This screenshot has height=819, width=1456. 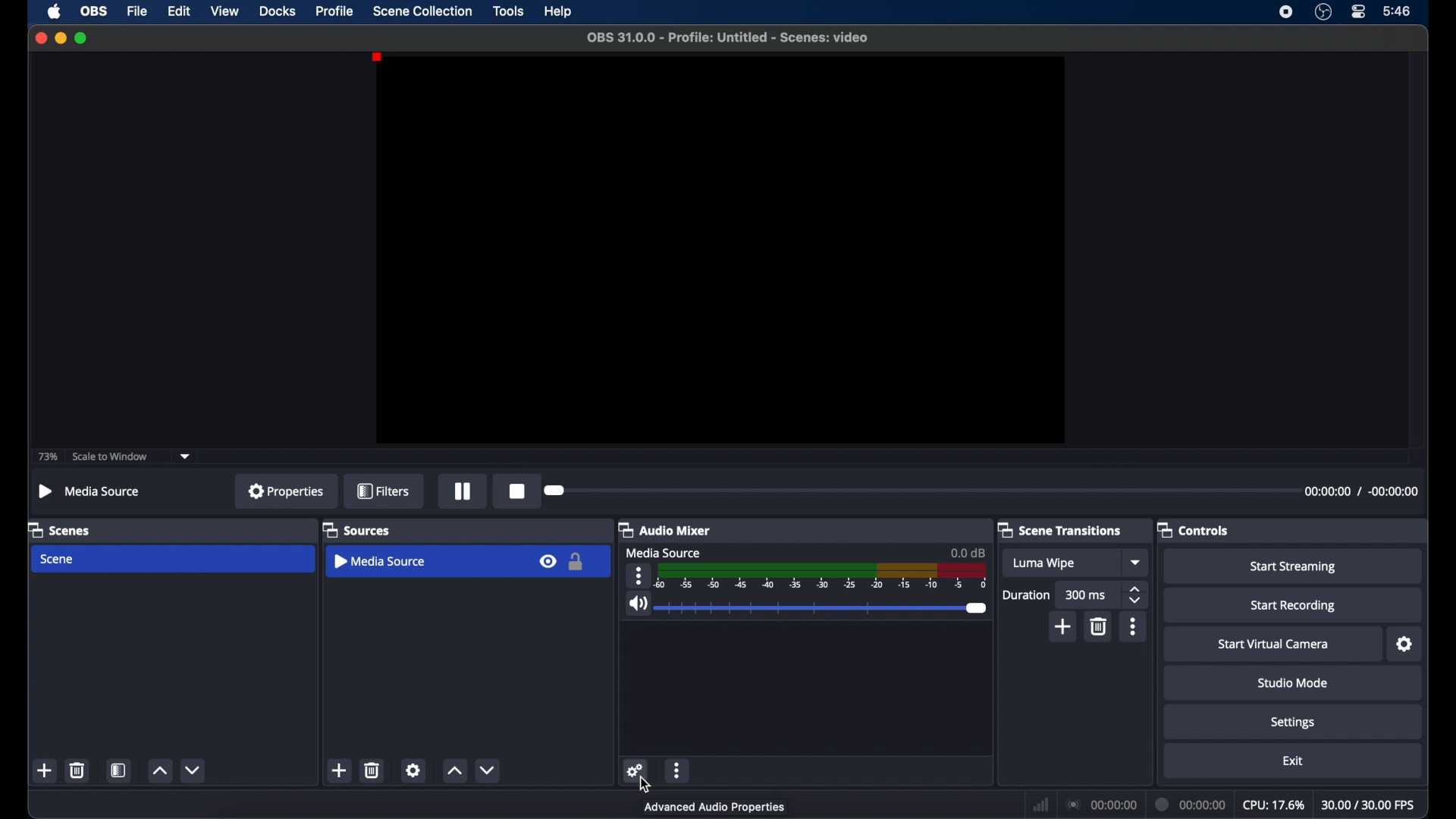 What do you see at coordinates (1134, 595) in the screenshot?
I see `stepper buttons` at bounding box center [1134, 595].